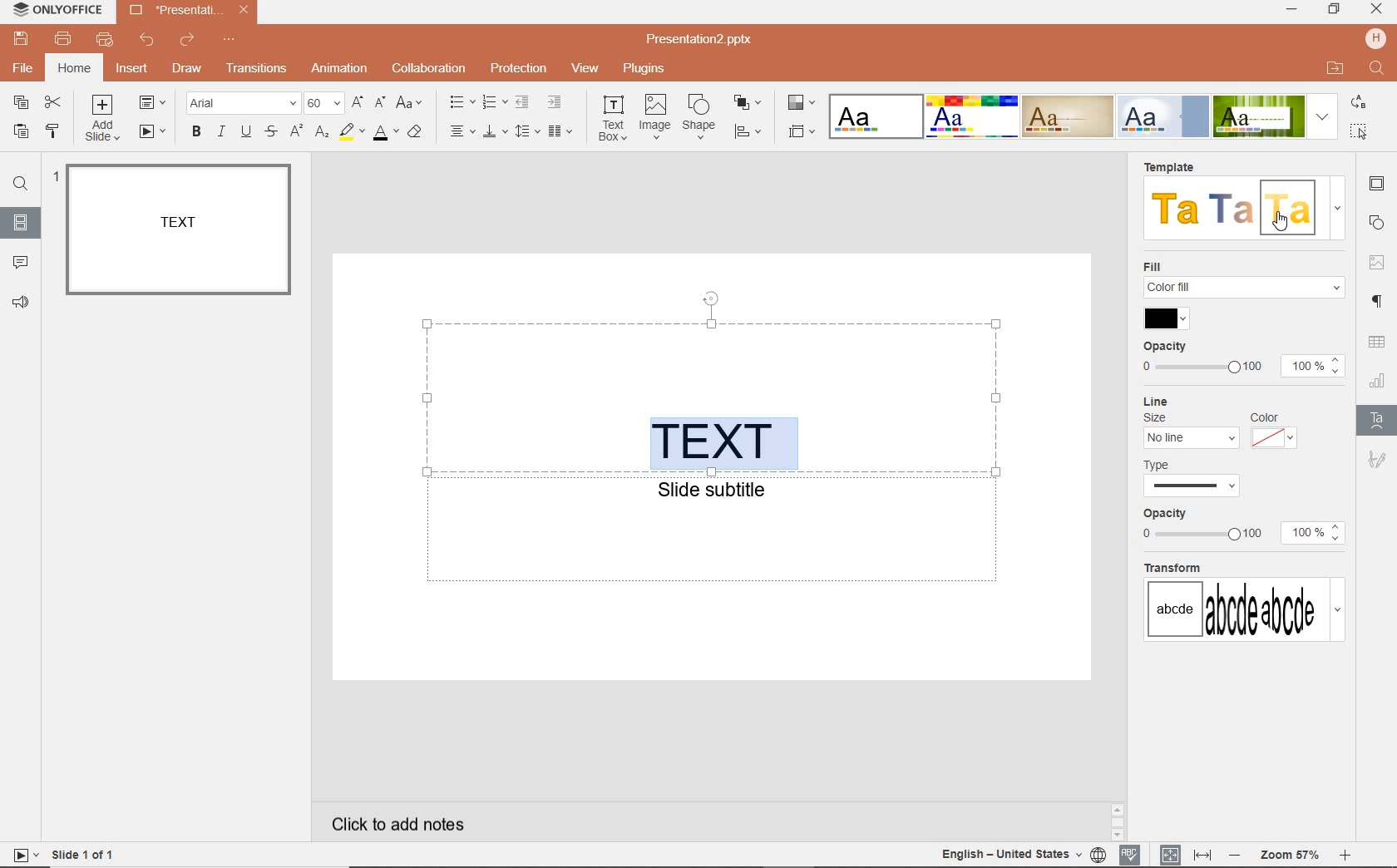 The height and width of the screenshot is (868, 1397). I want to click on transform, so click(1244, 604).